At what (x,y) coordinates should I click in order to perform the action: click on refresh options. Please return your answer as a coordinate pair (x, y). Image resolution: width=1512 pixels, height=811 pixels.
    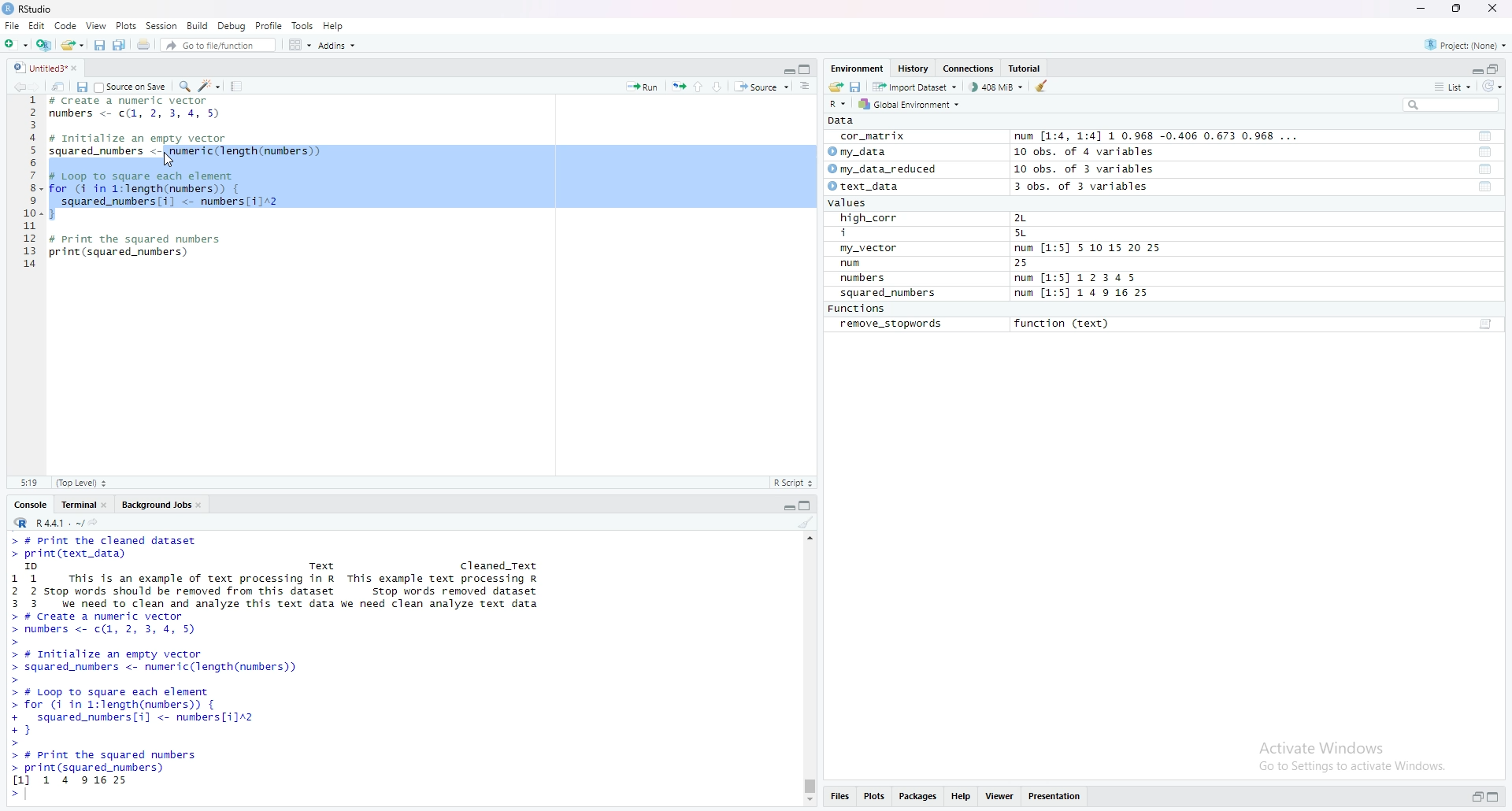
    Looking at the image, I should click on (1492, 87).